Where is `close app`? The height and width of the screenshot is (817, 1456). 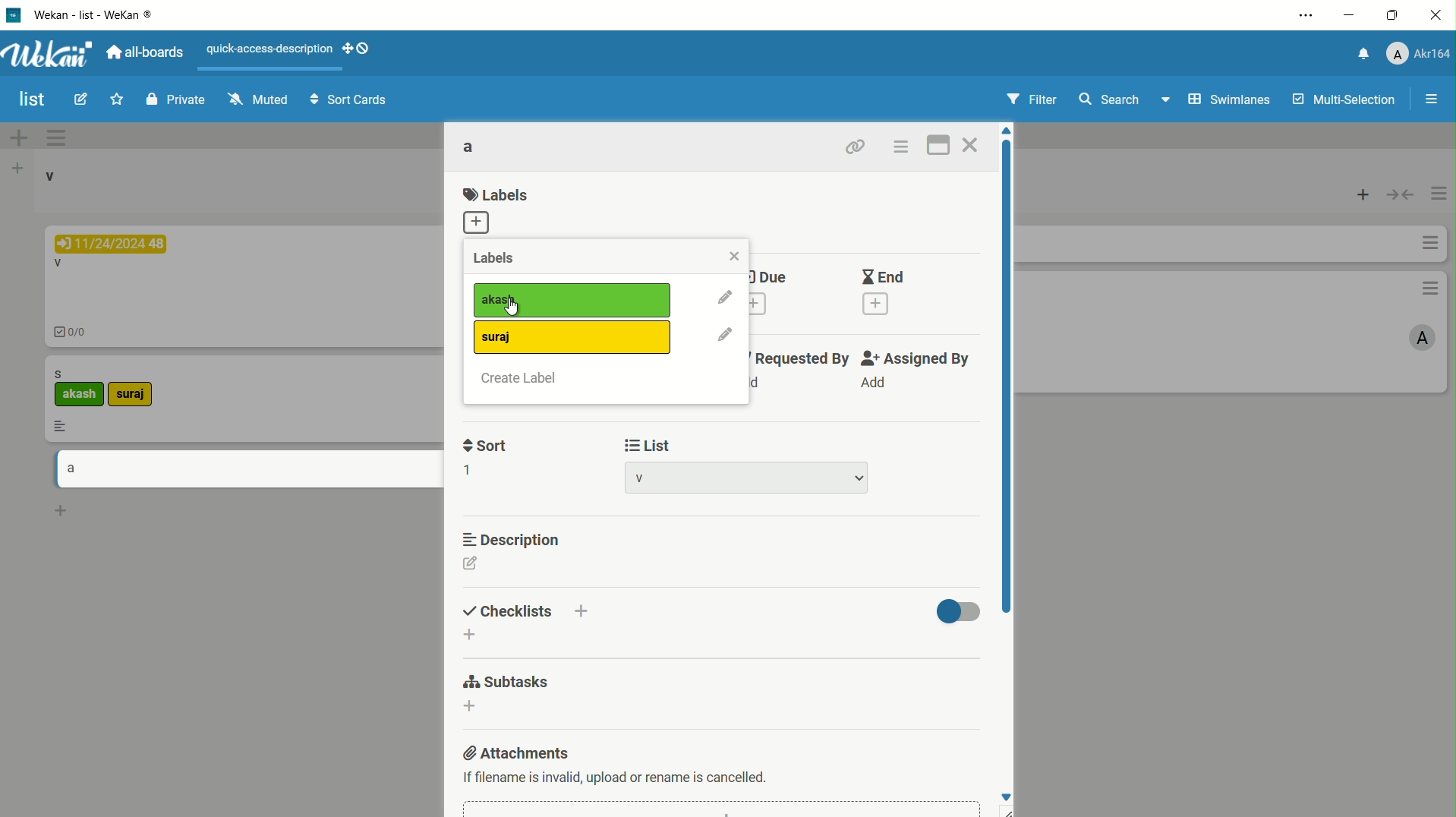 close app is located at coordinates (1437, 18).